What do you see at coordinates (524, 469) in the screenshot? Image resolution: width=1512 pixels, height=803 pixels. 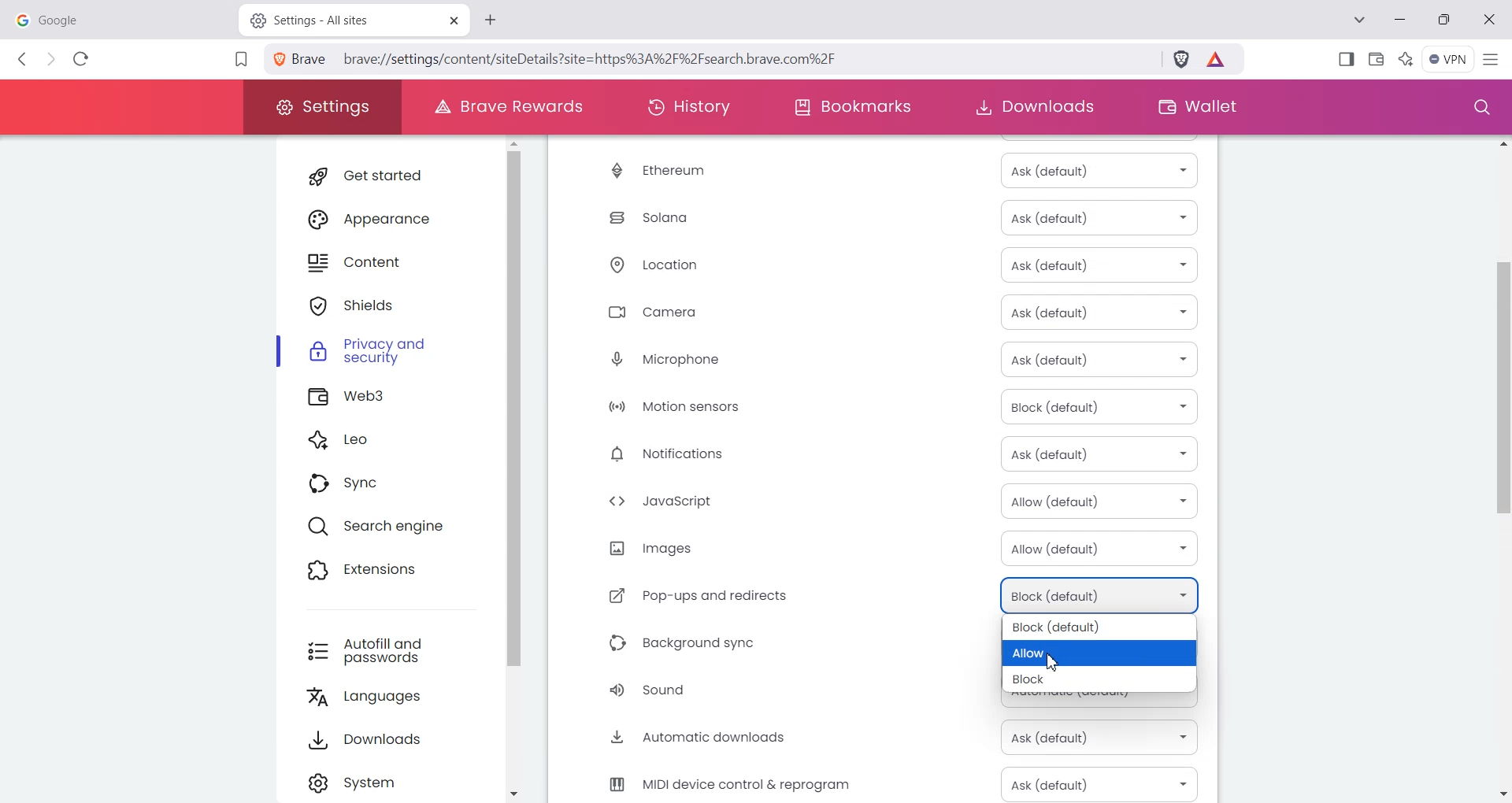 I see `Vertical scroll bar` at bounding box center [524, 469].